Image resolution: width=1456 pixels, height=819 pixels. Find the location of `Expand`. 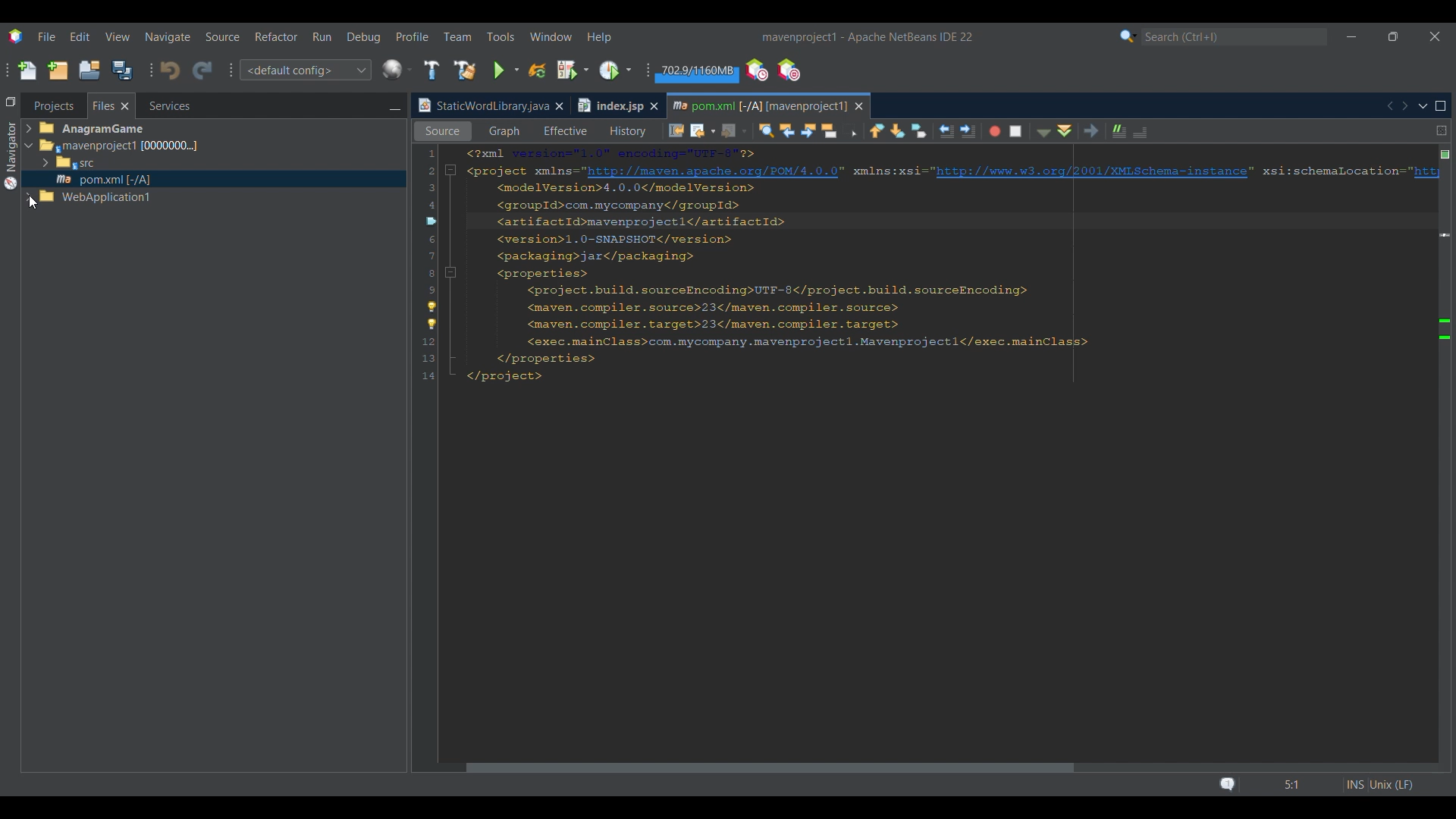

Expand is located at coordinates (31, 165).